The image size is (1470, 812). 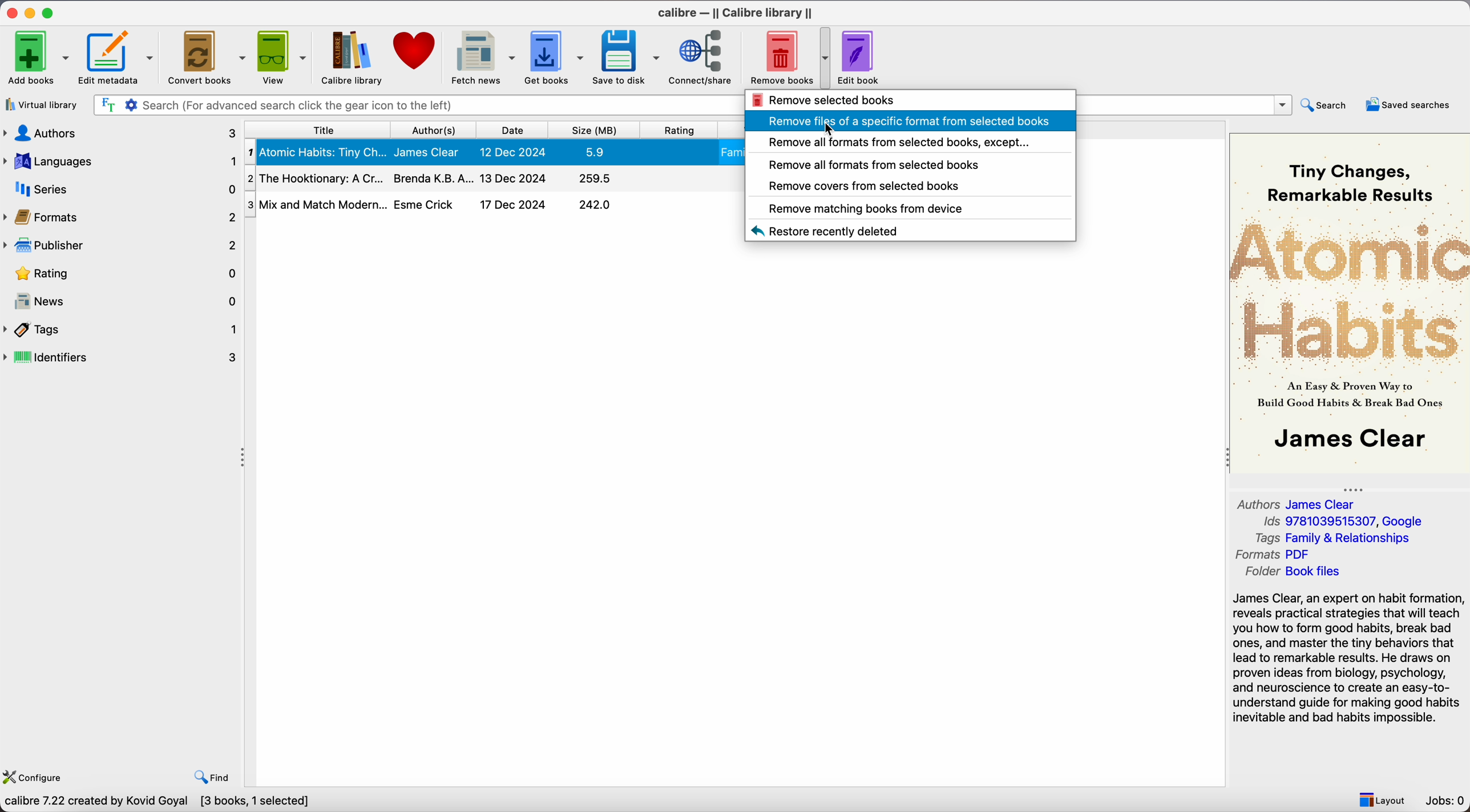 I want to click on Tags Family & Relationships, so click(x=1330, y=538).